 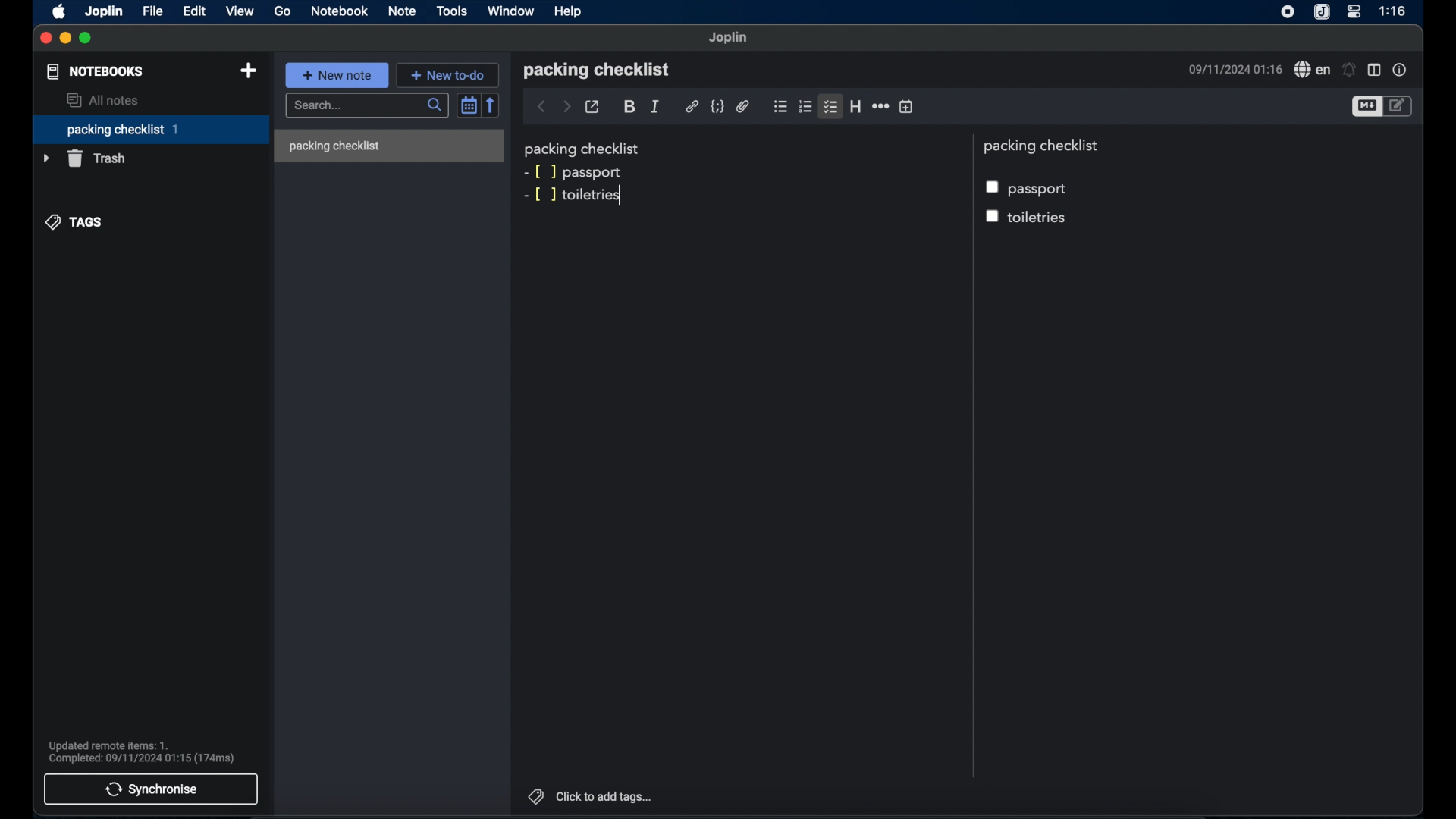 What do you see at coordinates (150, 130) in the screenshot?
I see `packing checklist` at bounding box center [150, 130].